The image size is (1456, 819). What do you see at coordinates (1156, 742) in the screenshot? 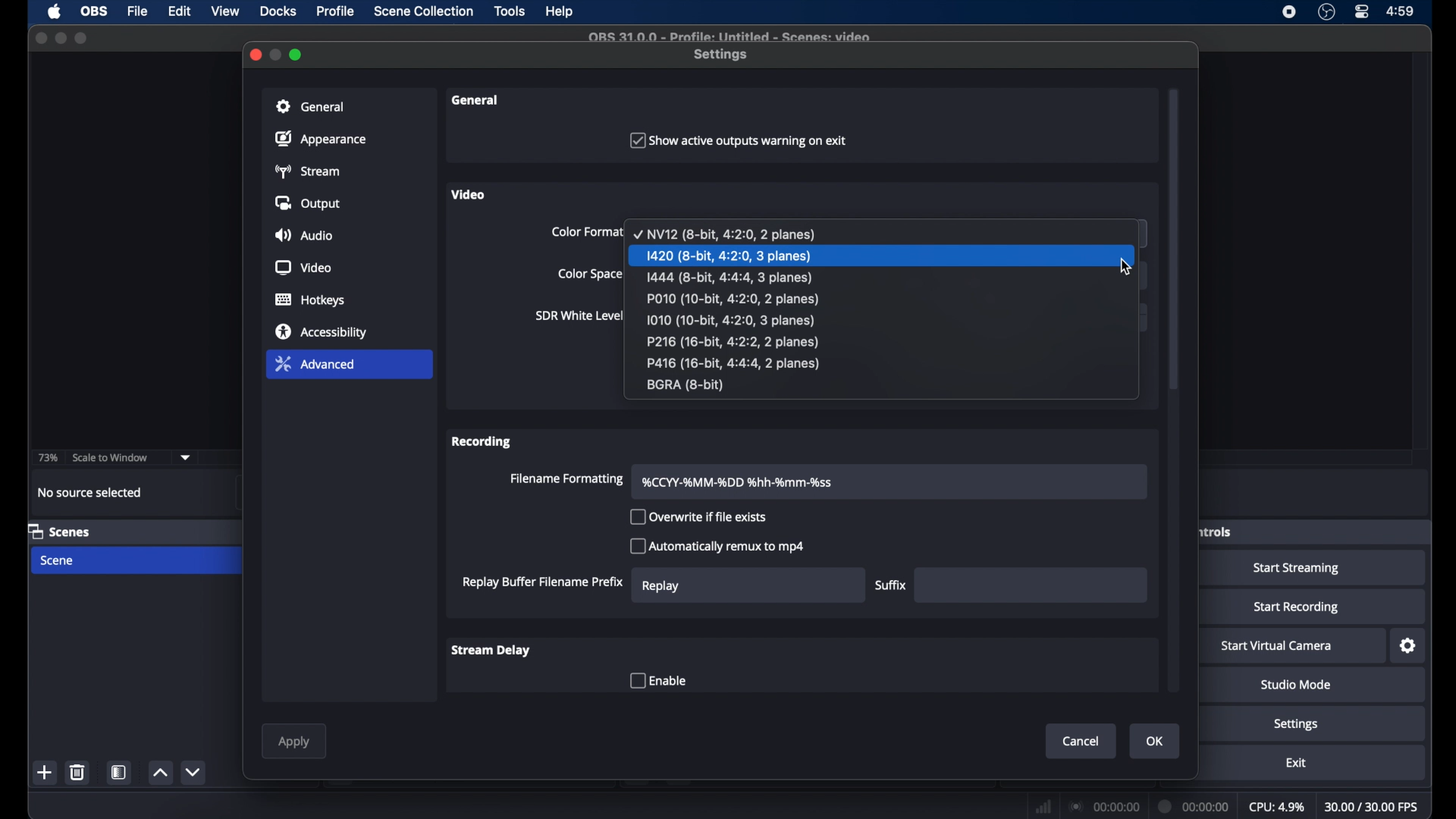
I see `ok` at bounding box center [1156, 742].